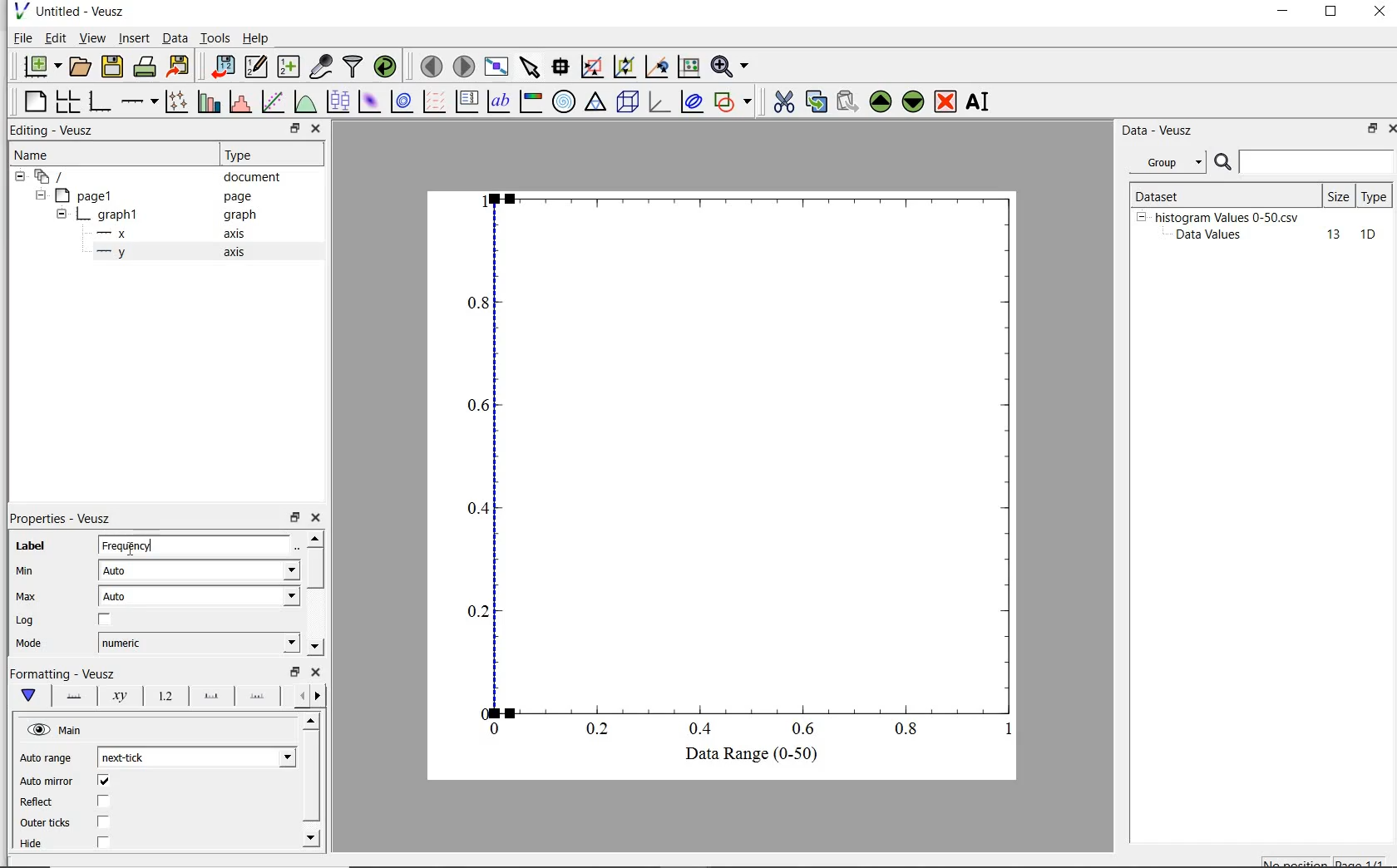 The height and width of the screenshot is (868, 1397). Describe the element at coordinates (134, 38) in the screenshot. I see `insert` at that location.